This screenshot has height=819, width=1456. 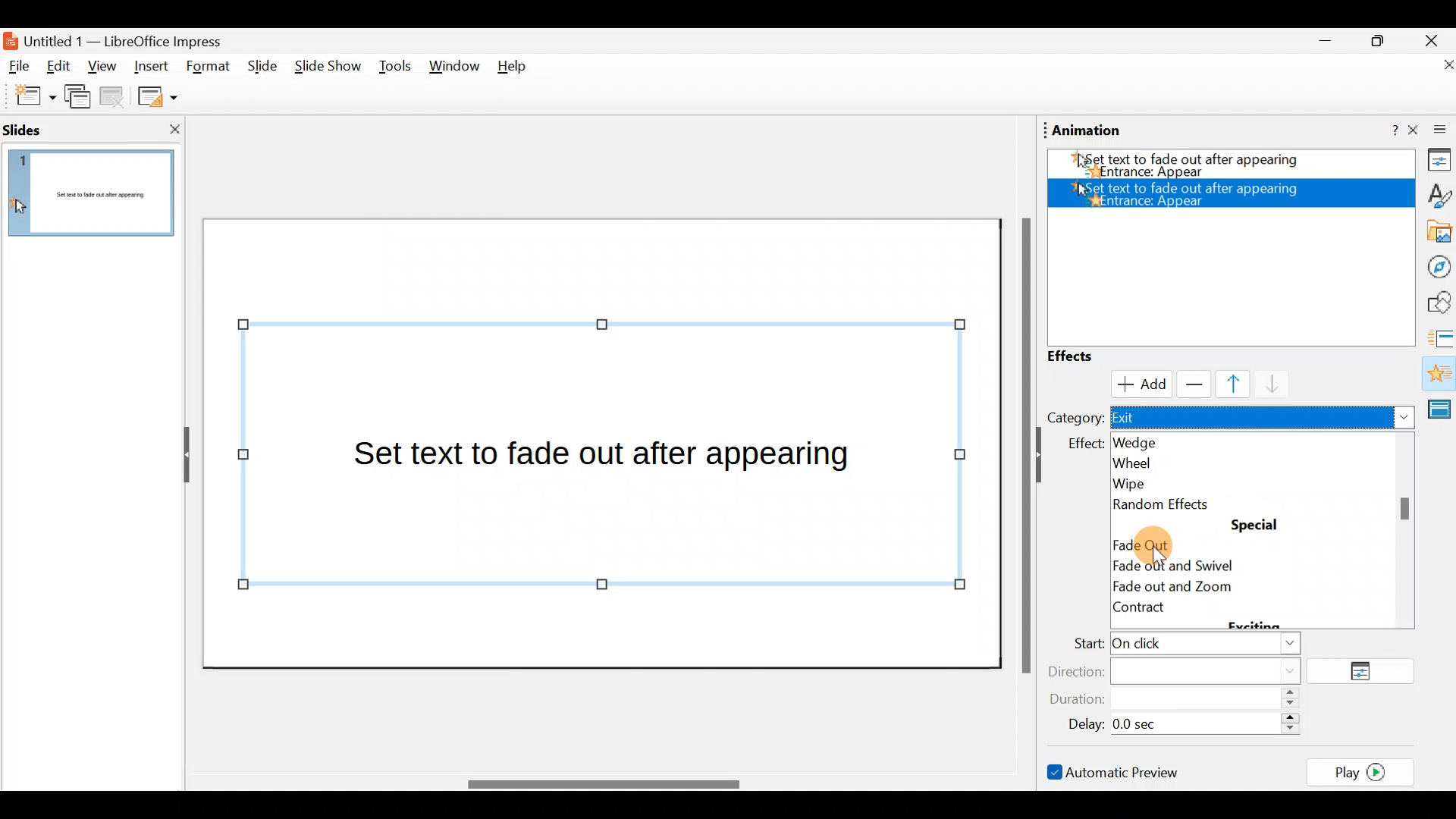 What do you see at coordinates (601, 784) in the screenshot?
I see `Scroll bar` at bounding box center [601, 784].